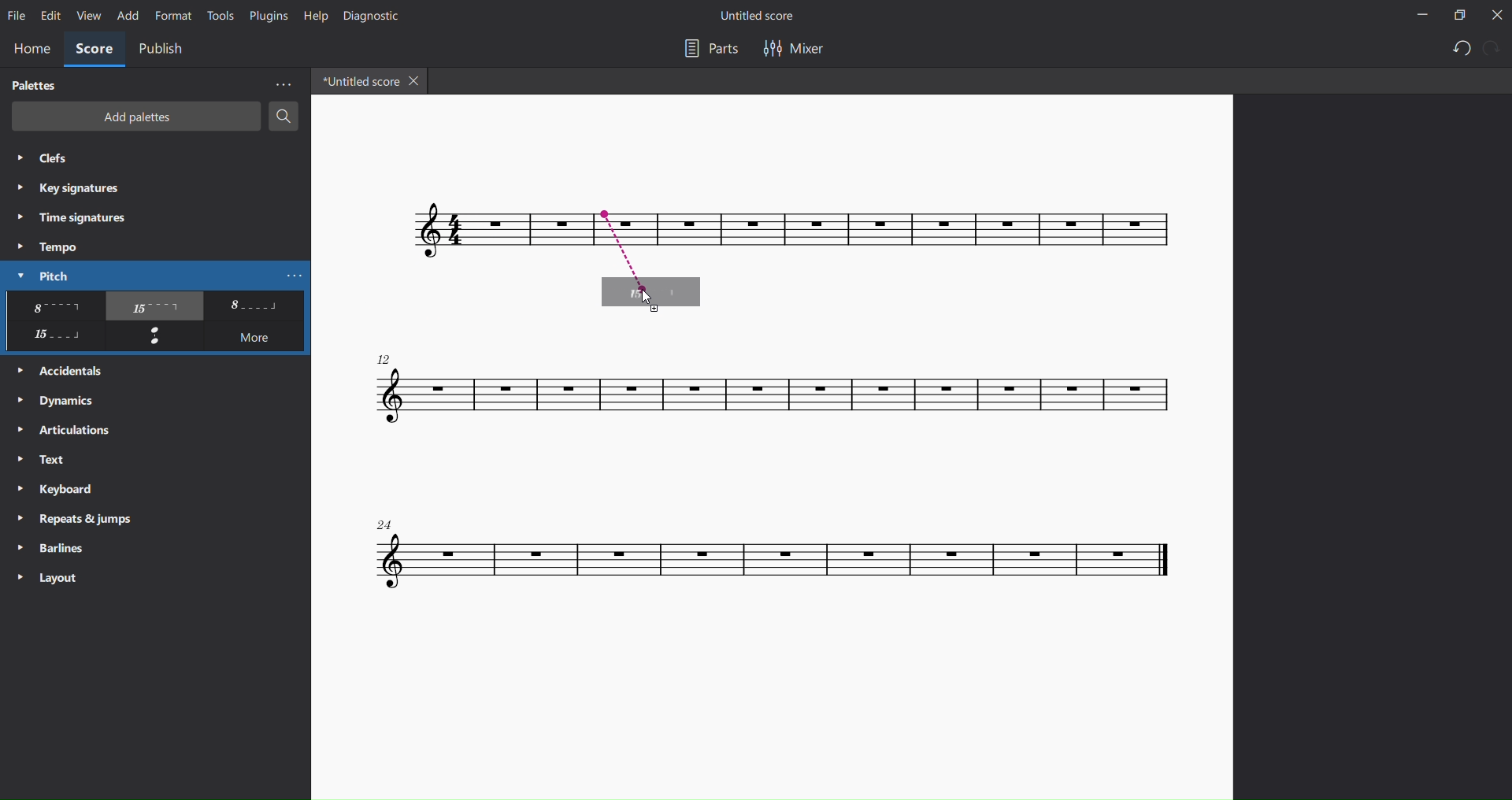 The width and height of the screenshot is (1512, 800). Describe the element at coordinates (762, 397) in the screenshot. I see `score` at that location.